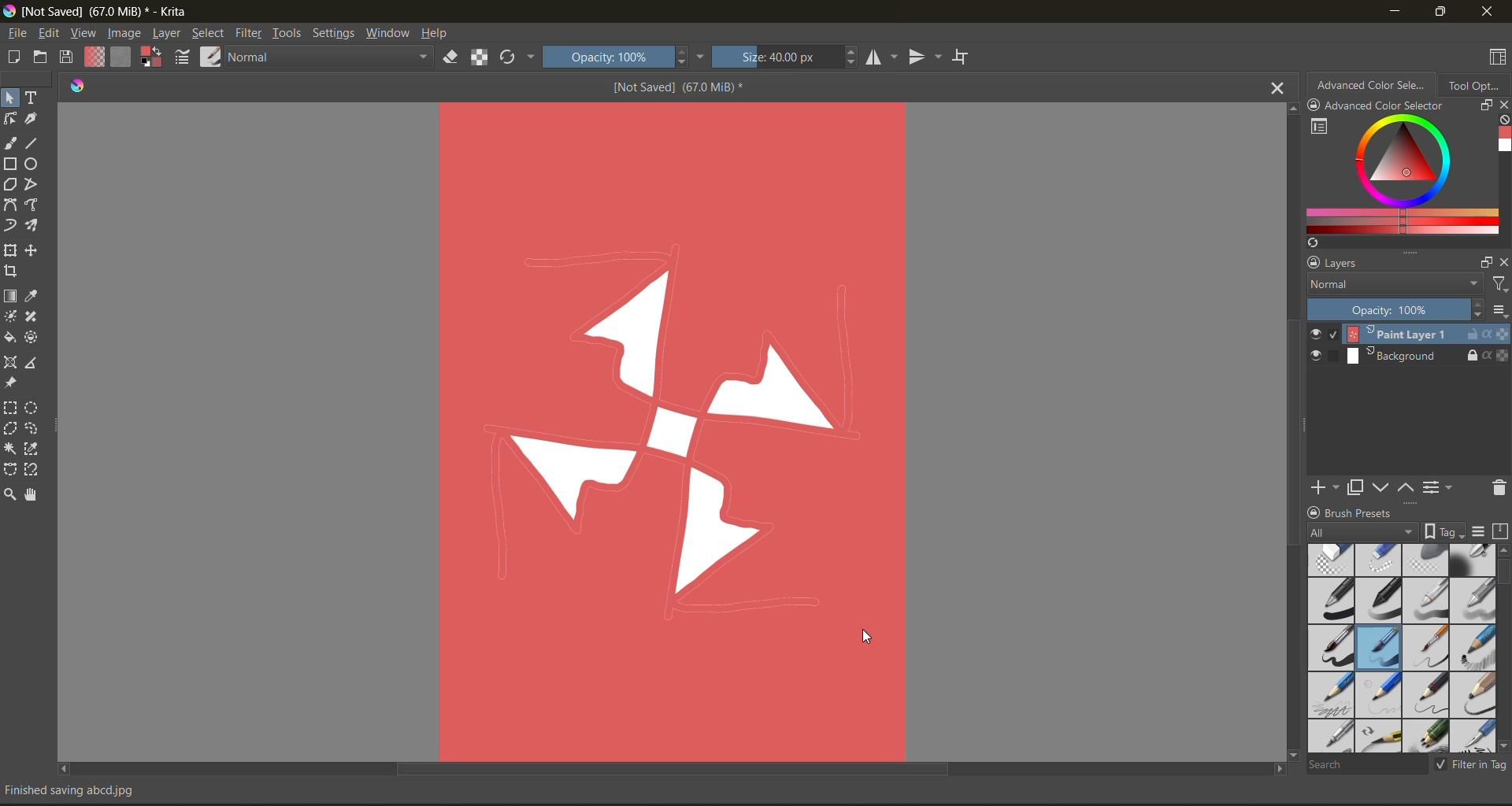  I want to click on file, so click(20, 33).